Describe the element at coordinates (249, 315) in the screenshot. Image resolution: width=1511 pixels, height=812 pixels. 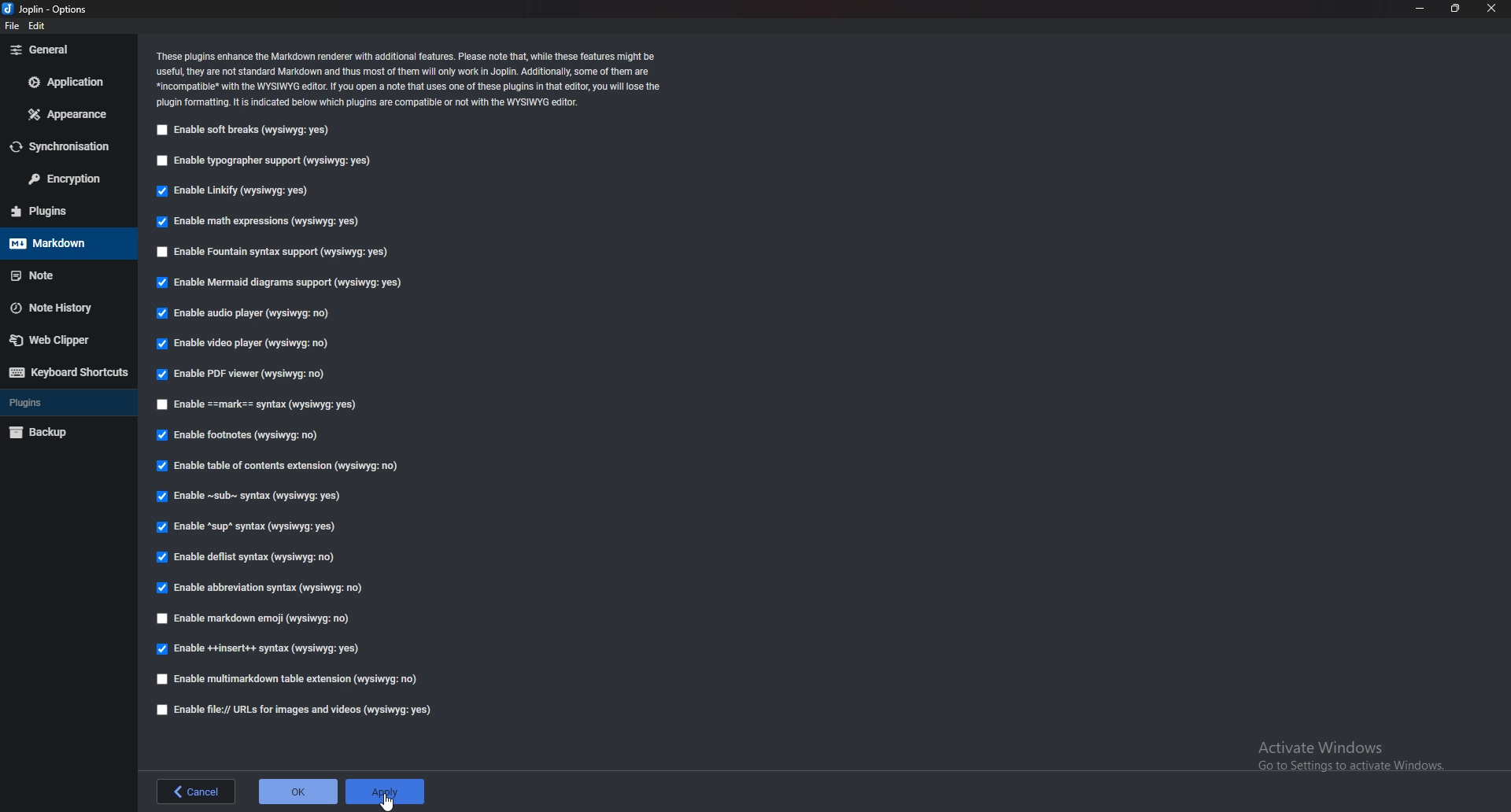
I see `Enable audio player` at that location.